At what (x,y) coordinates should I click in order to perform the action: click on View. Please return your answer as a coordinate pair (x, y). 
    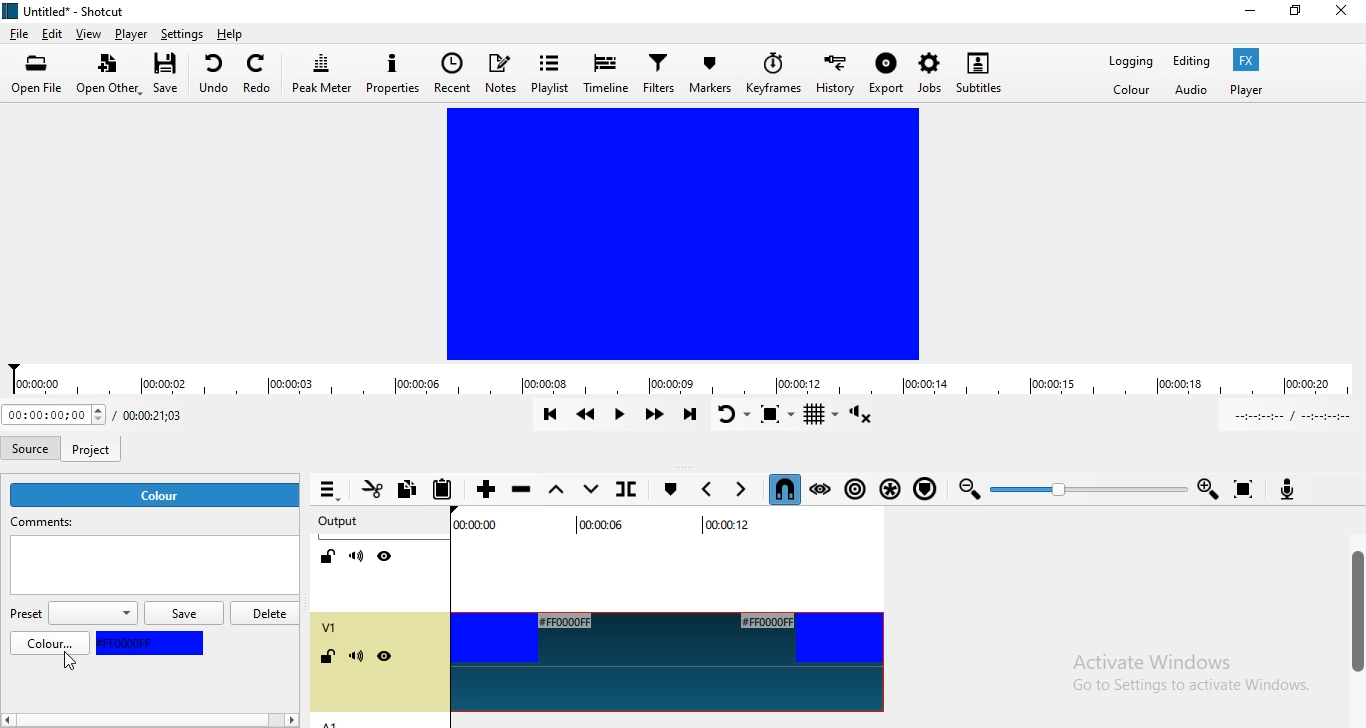
    Looking at the image, I should click on (89, 33).